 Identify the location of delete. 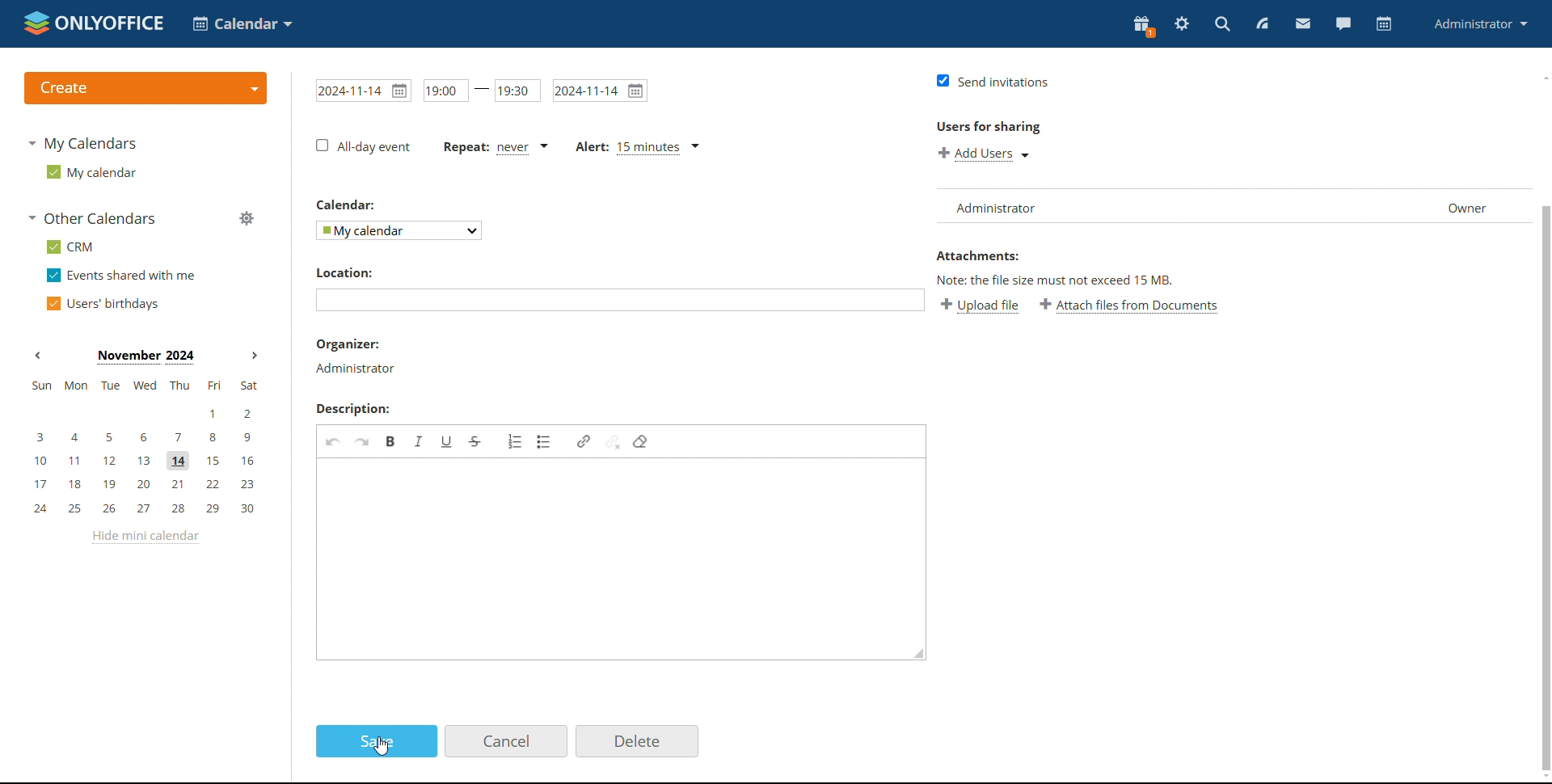
(639, 740).